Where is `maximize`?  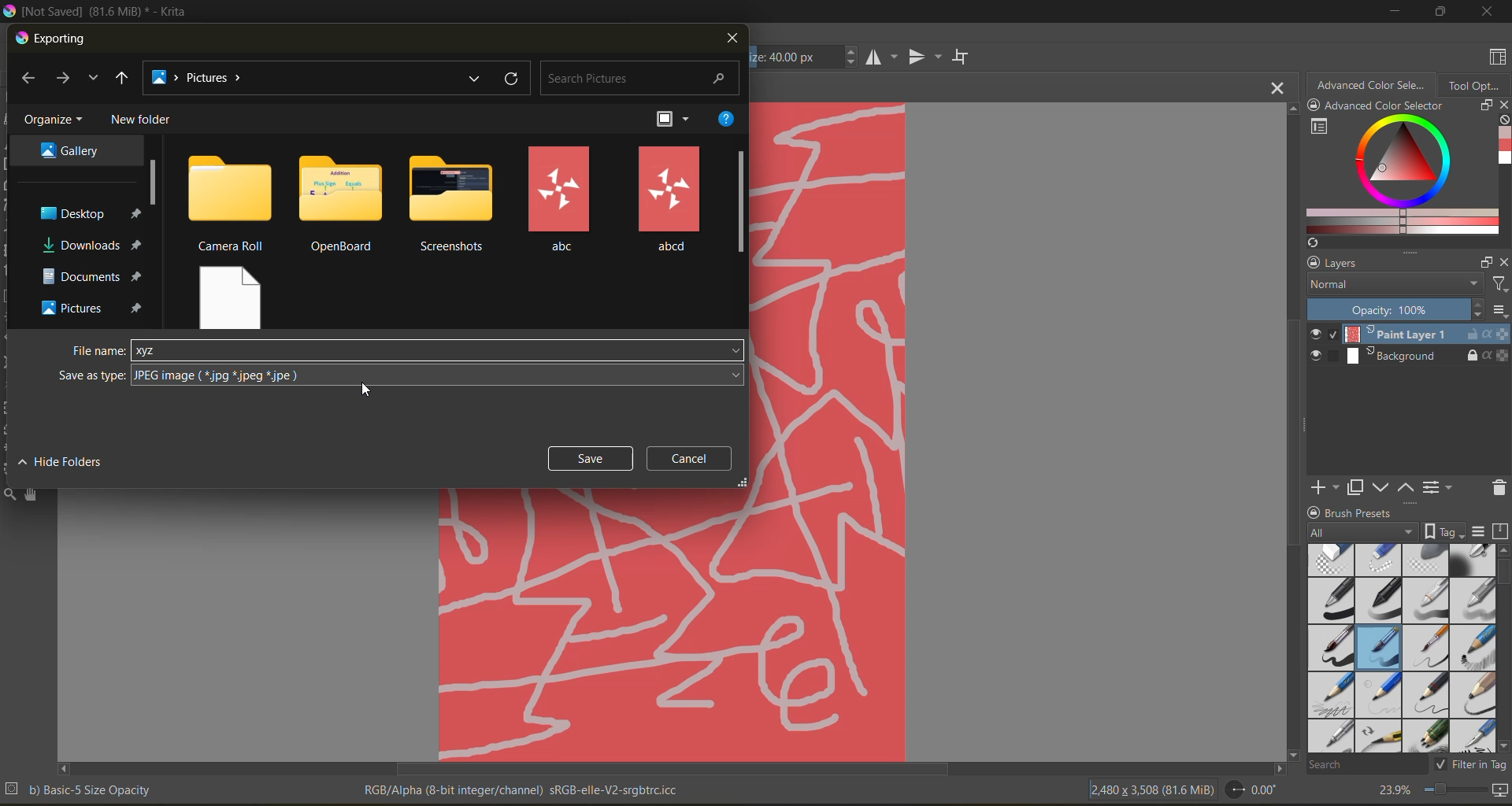
maximize is located at coordinates (1436, 11).